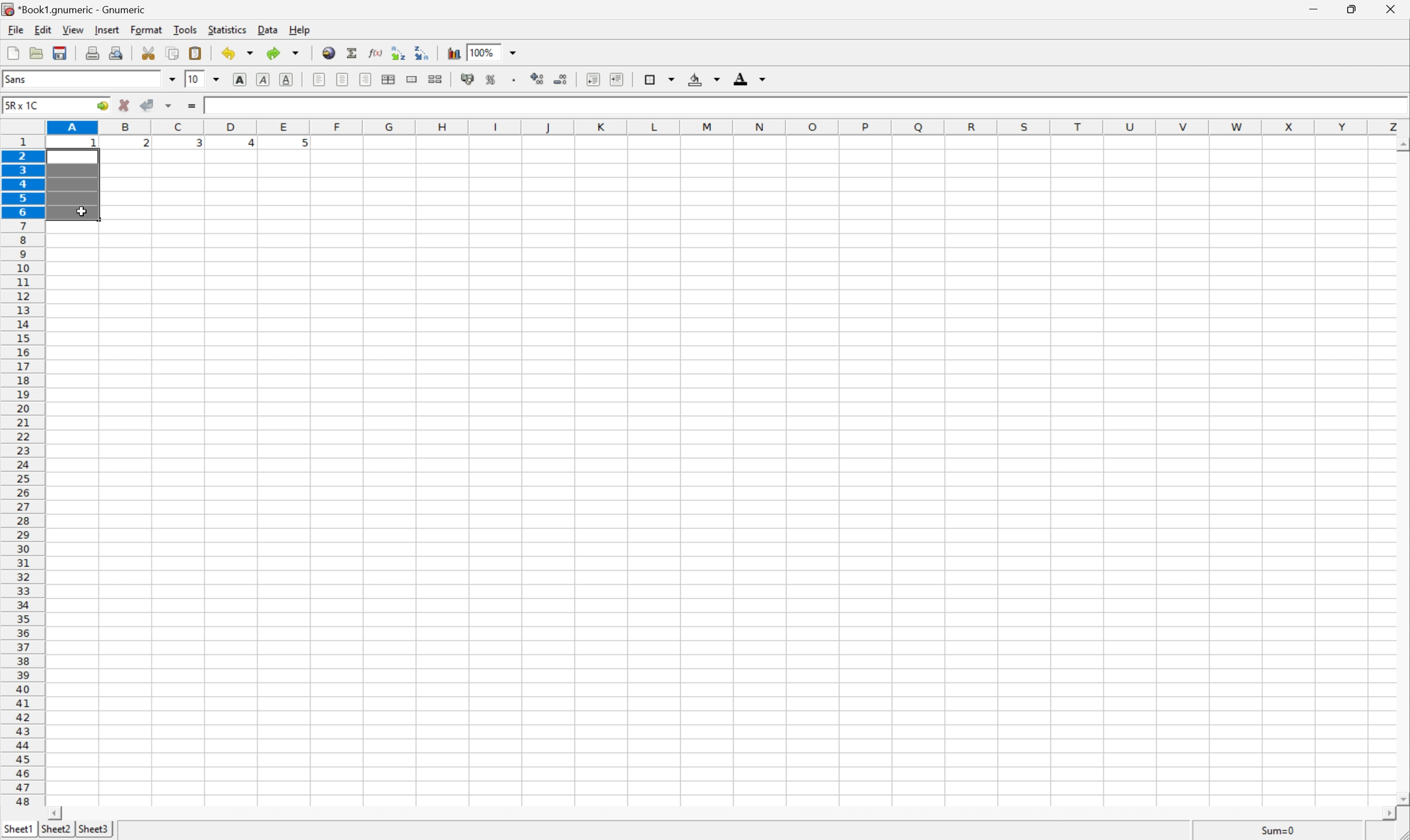 This screenshot has width=1410, height=840. Describe the element at coordinates (60, 53) in the screenshot. I see `save current workbook` at that location.